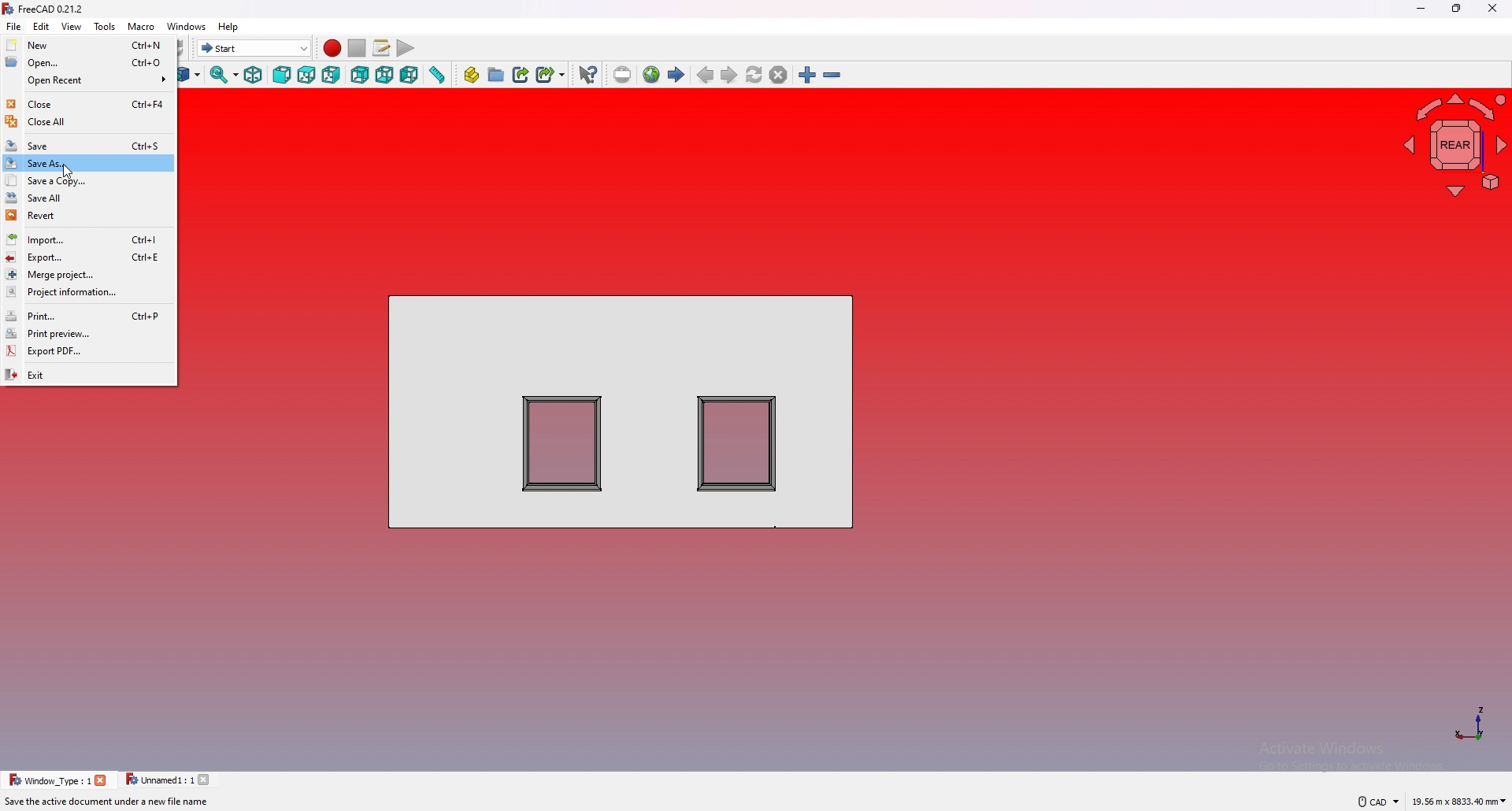  What do you see at coordinates (87, 121) in the screenshot?
I see `close all` at bounding box center [87, 121].